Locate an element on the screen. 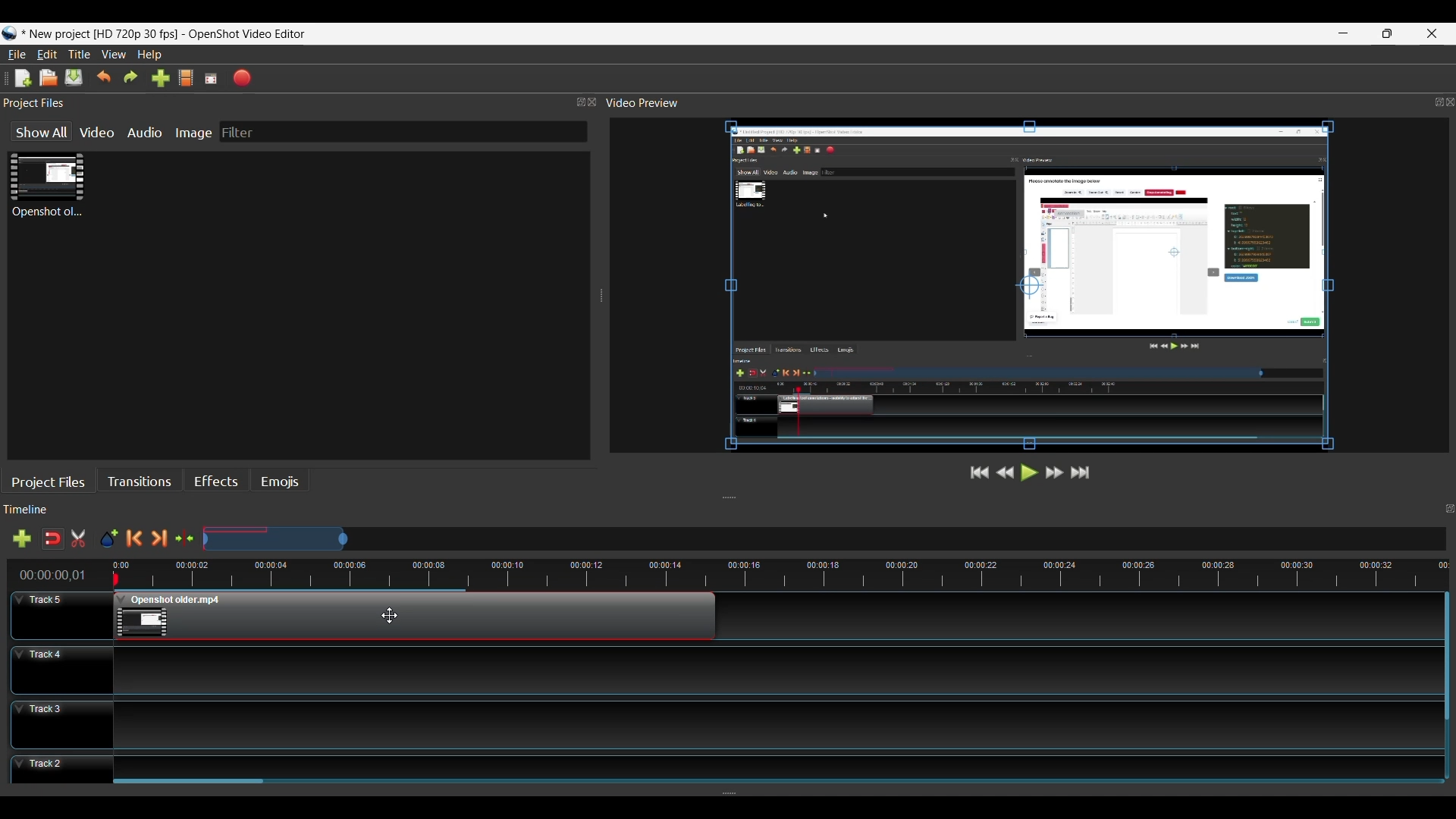 This screenshot has width=1456, height=819. Jump to Start is located at coordinates (977, 472).